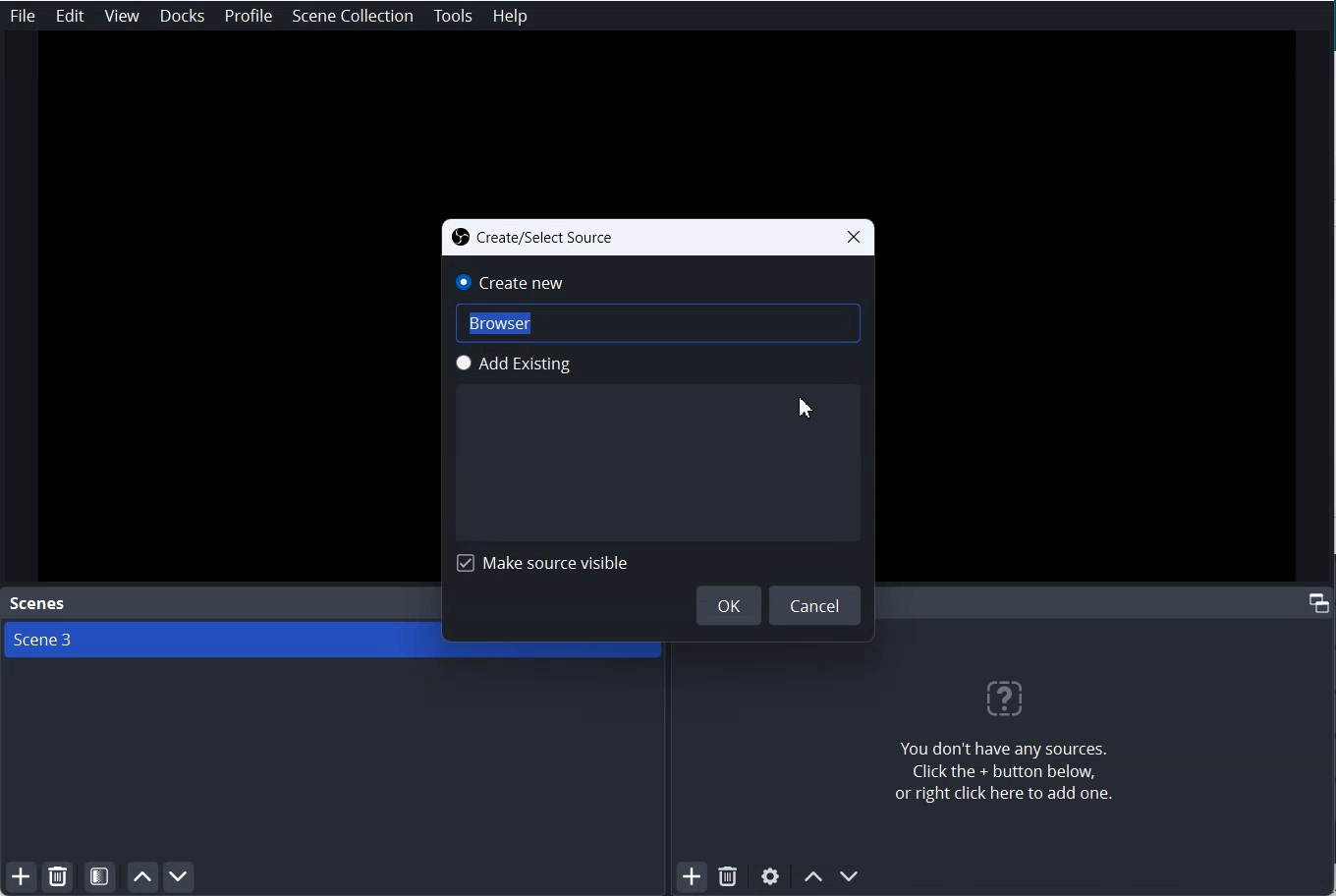 This screenshot has width=1336, height=896. What do you see at coordinates (453, 17) in the screenshot?
I see `Tools` at bounding box center [453, 17].